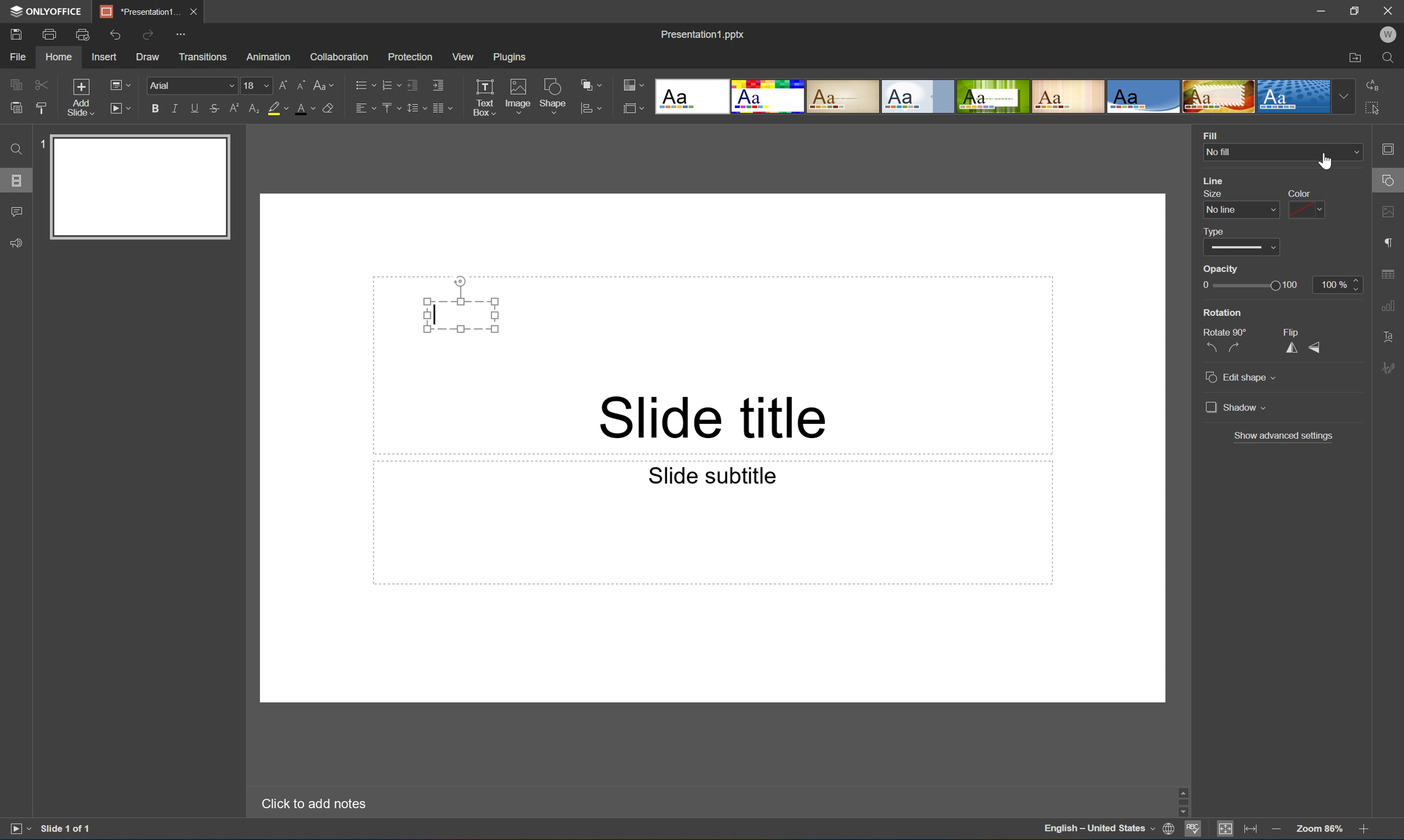 The image size is (1404, 840). What do you see at coordinates (50, 35) in the screenshot?
I see `Print file` at bounding box center [50, 35].